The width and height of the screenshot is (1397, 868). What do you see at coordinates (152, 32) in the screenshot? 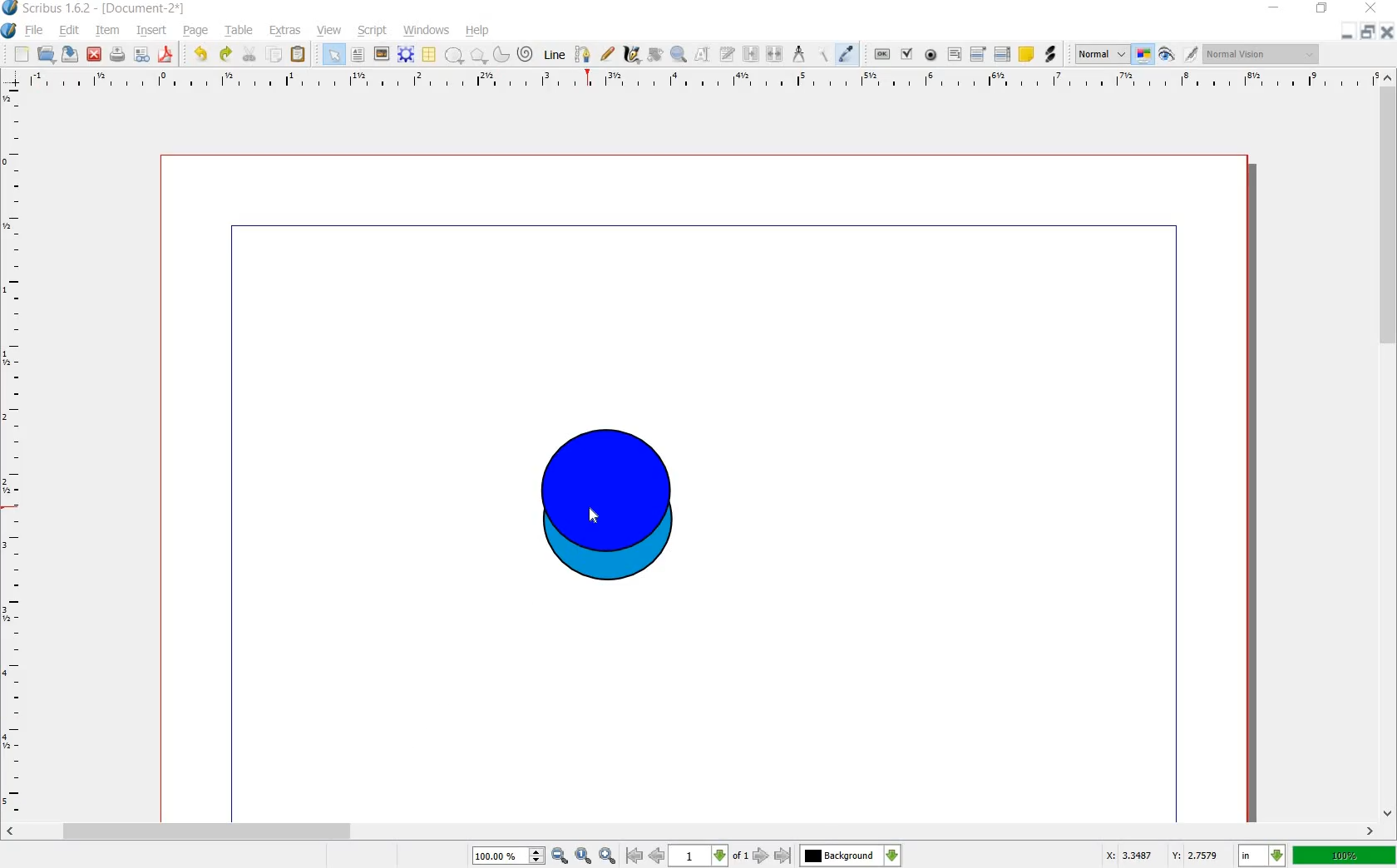
I see `insert` at bounding box center [152, 32].